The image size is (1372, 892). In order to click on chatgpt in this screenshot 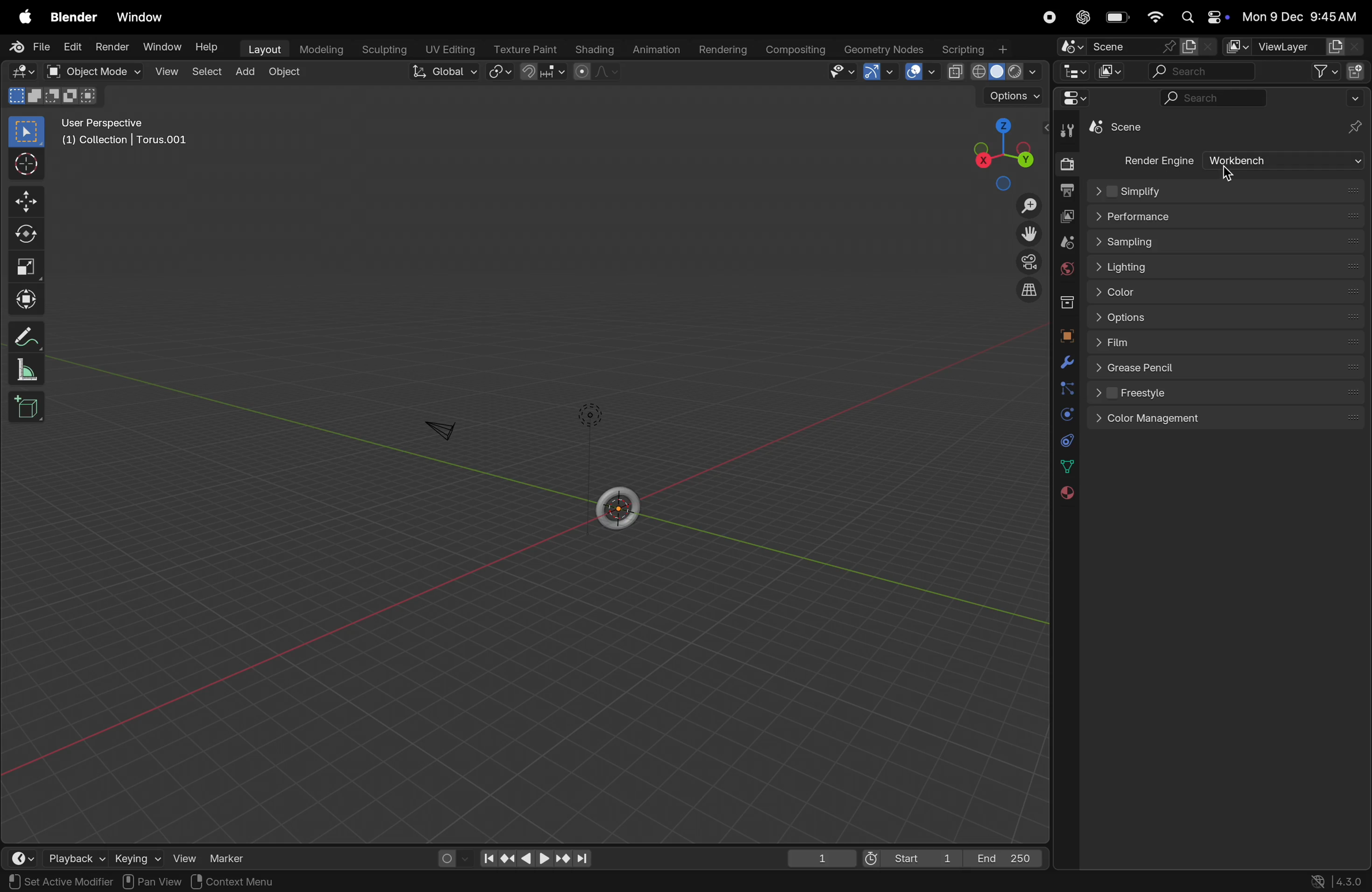, I will do `click(1081, 17)`.